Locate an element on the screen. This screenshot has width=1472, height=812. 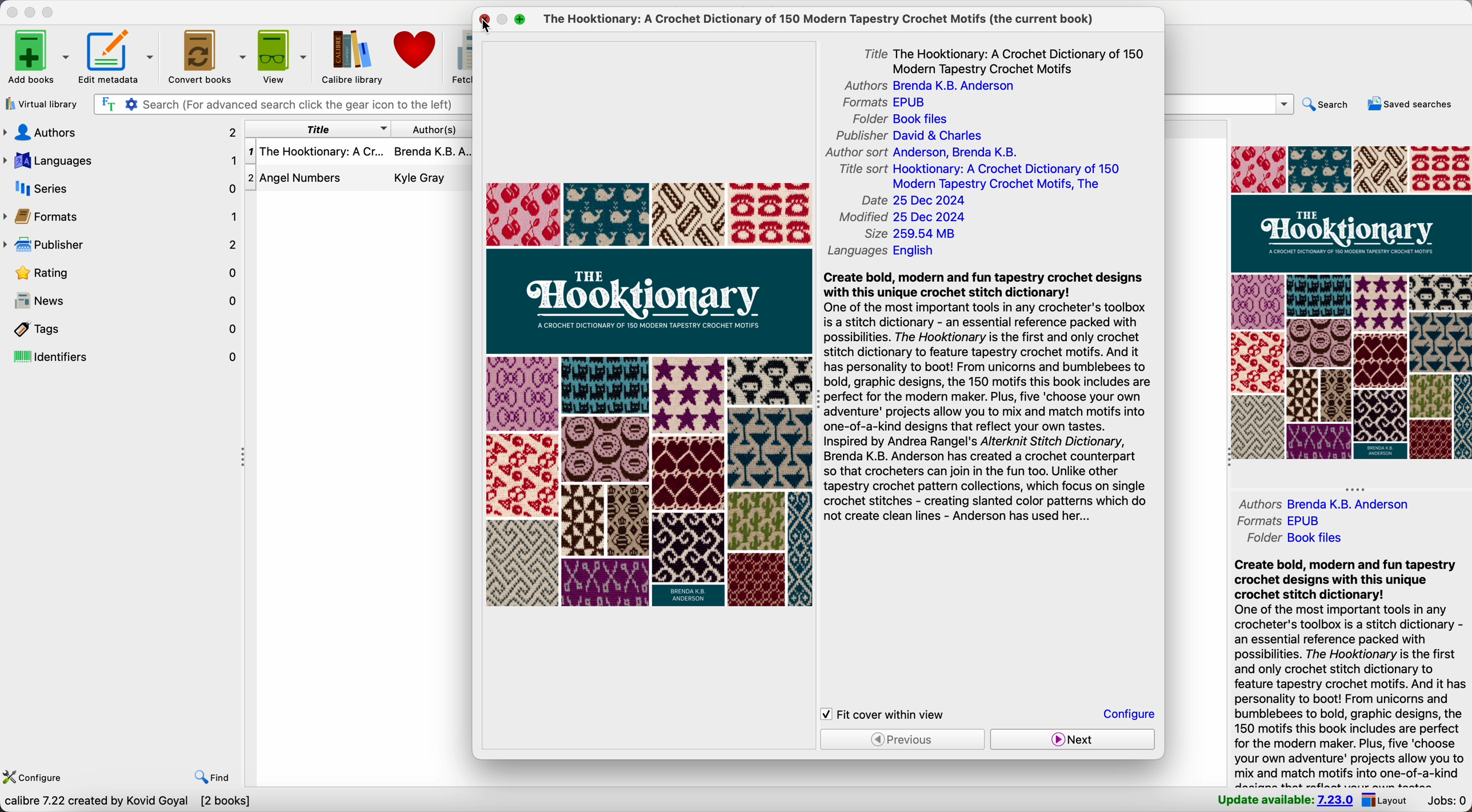
publisher is located at coordinates (908, 136).